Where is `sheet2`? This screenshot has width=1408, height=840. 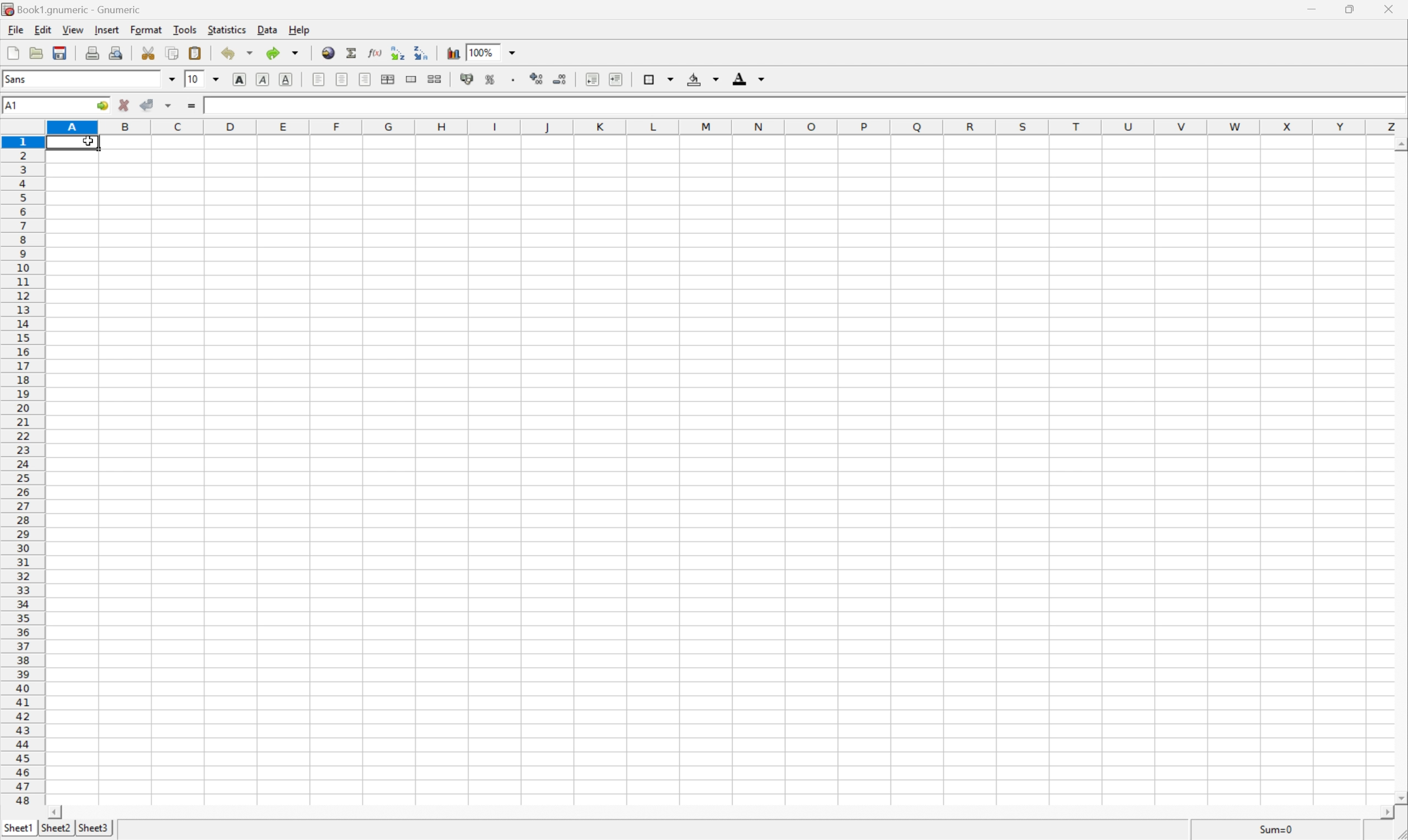 sheet2 is located at coordinates (54, 831).